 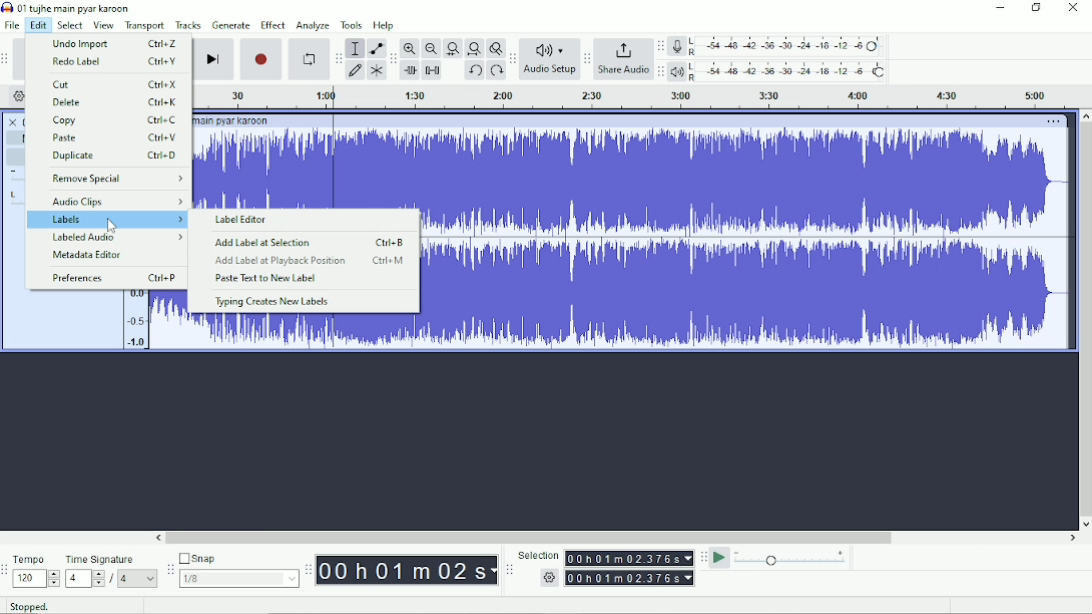 What do you see at coordinates (116, 121) in the screenshot?
I see `Copy` at bounding box center [116, 121].